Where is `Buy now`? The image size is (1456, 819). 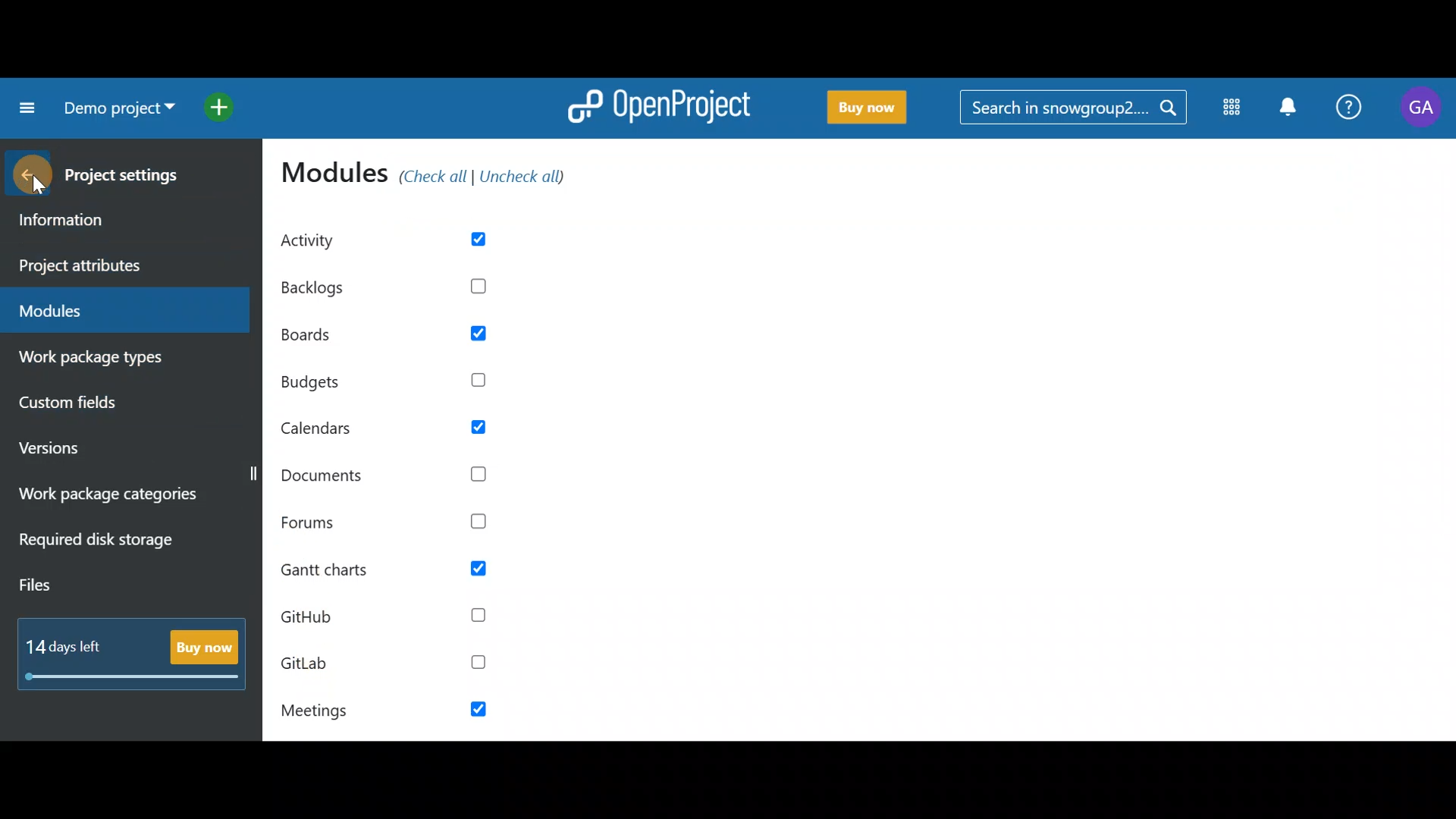
Buy now is located at coordinates (136, 649).